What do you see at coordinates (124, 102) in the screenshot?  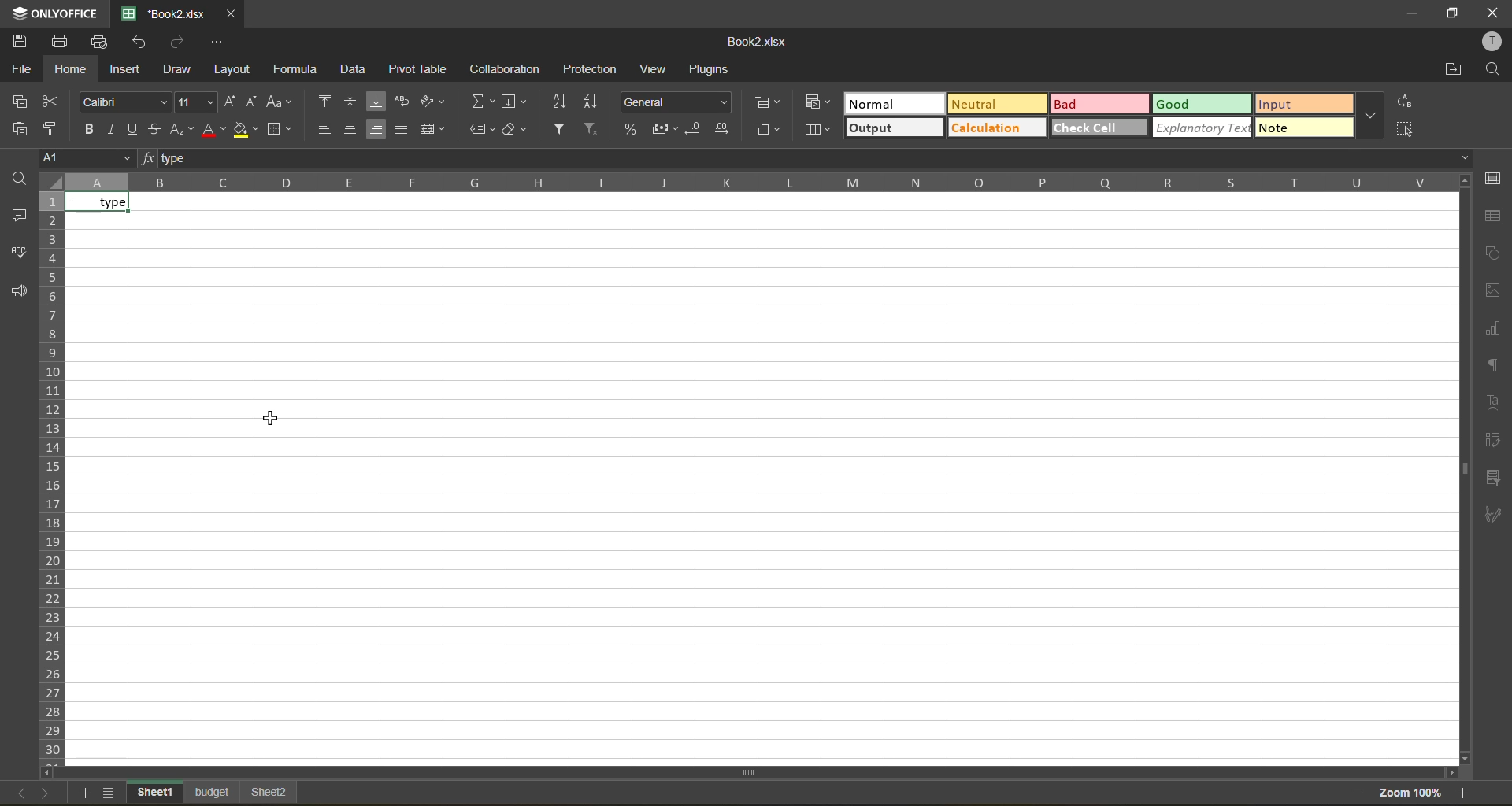 I see `font style` at bounding box center [124, 102].